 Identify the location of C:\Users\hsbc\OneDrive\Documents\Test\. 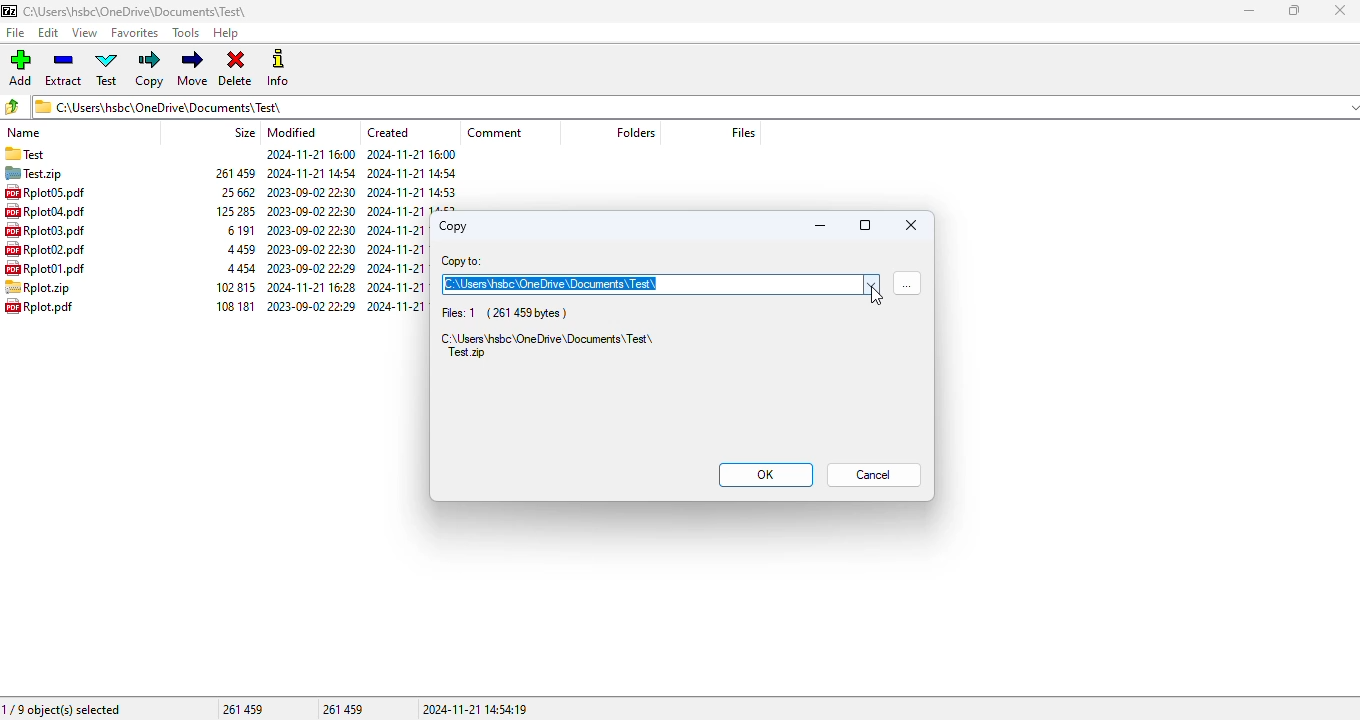
(552, 284).